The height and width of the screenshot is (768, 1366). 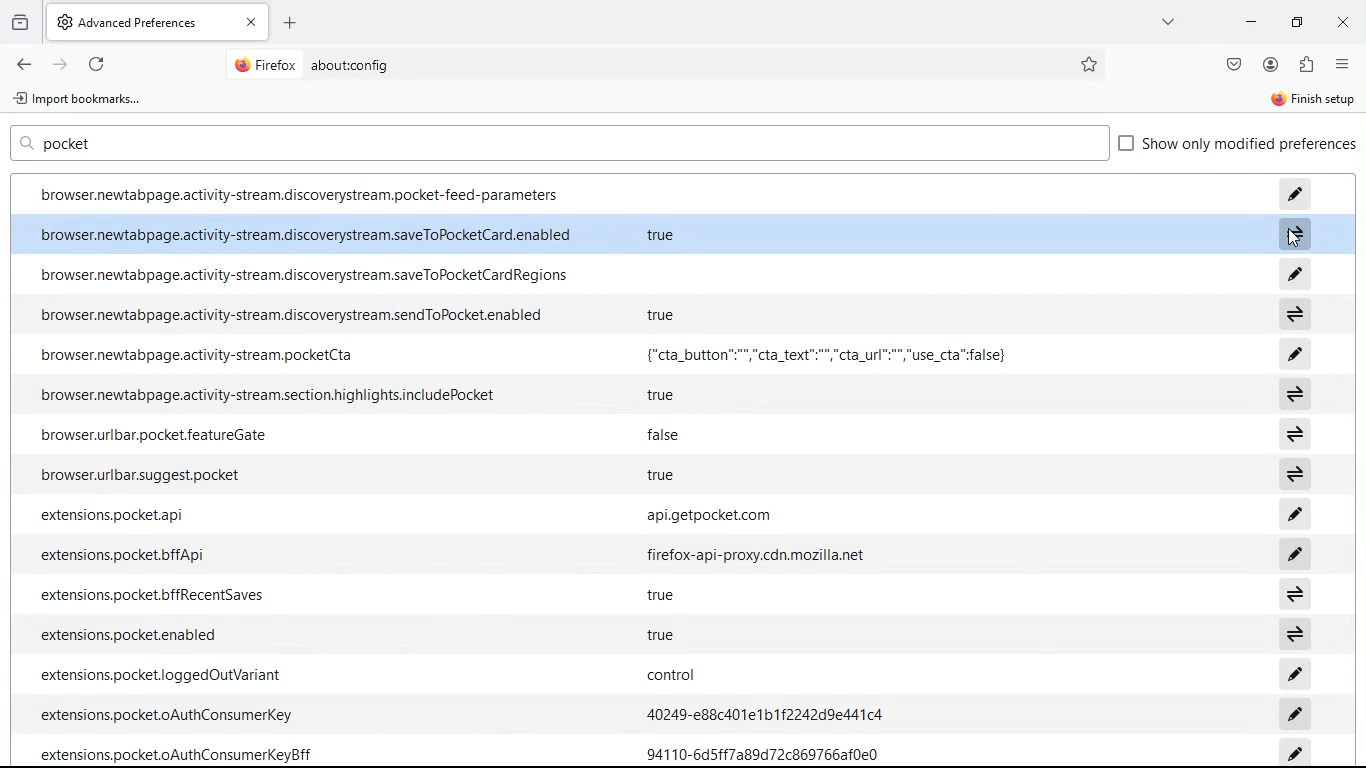 What do you see at coordinates (1294, 353) in the screenshot?
I see `edit` at bounding box center [1294, 353].